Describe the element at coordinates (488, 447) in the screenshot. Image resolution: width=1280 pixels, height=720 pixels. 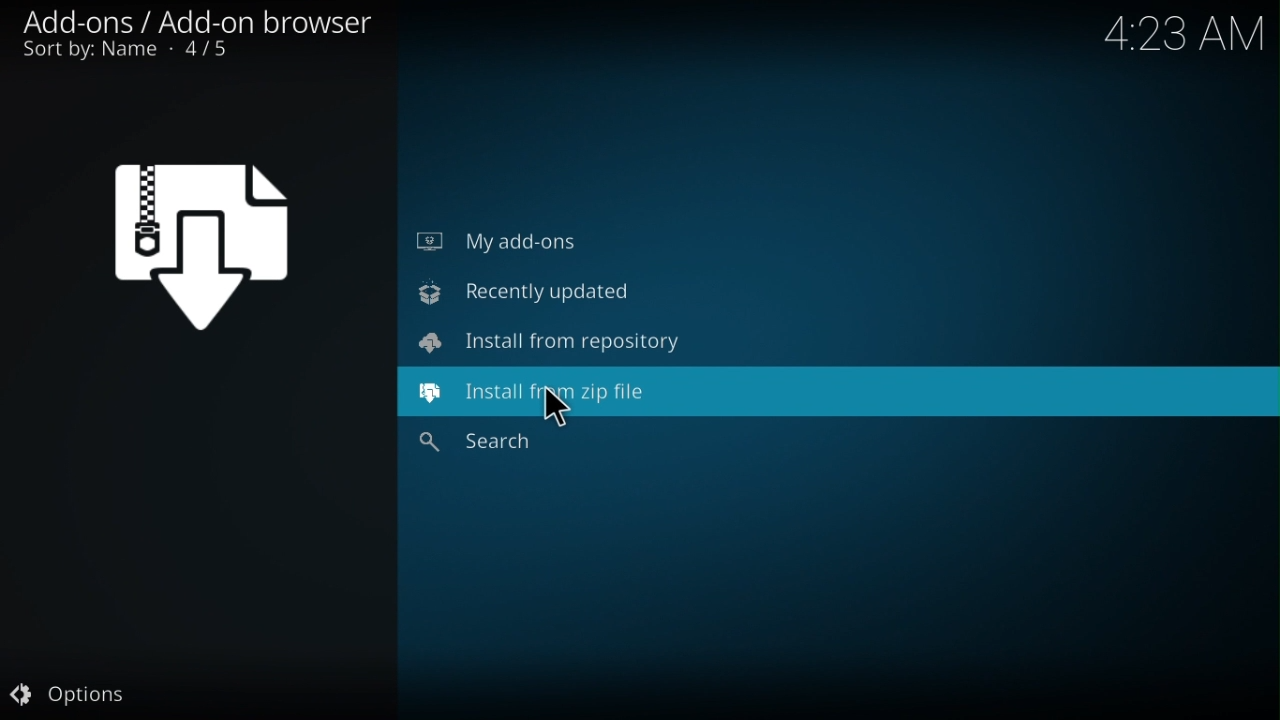
I see `Search` at that location.